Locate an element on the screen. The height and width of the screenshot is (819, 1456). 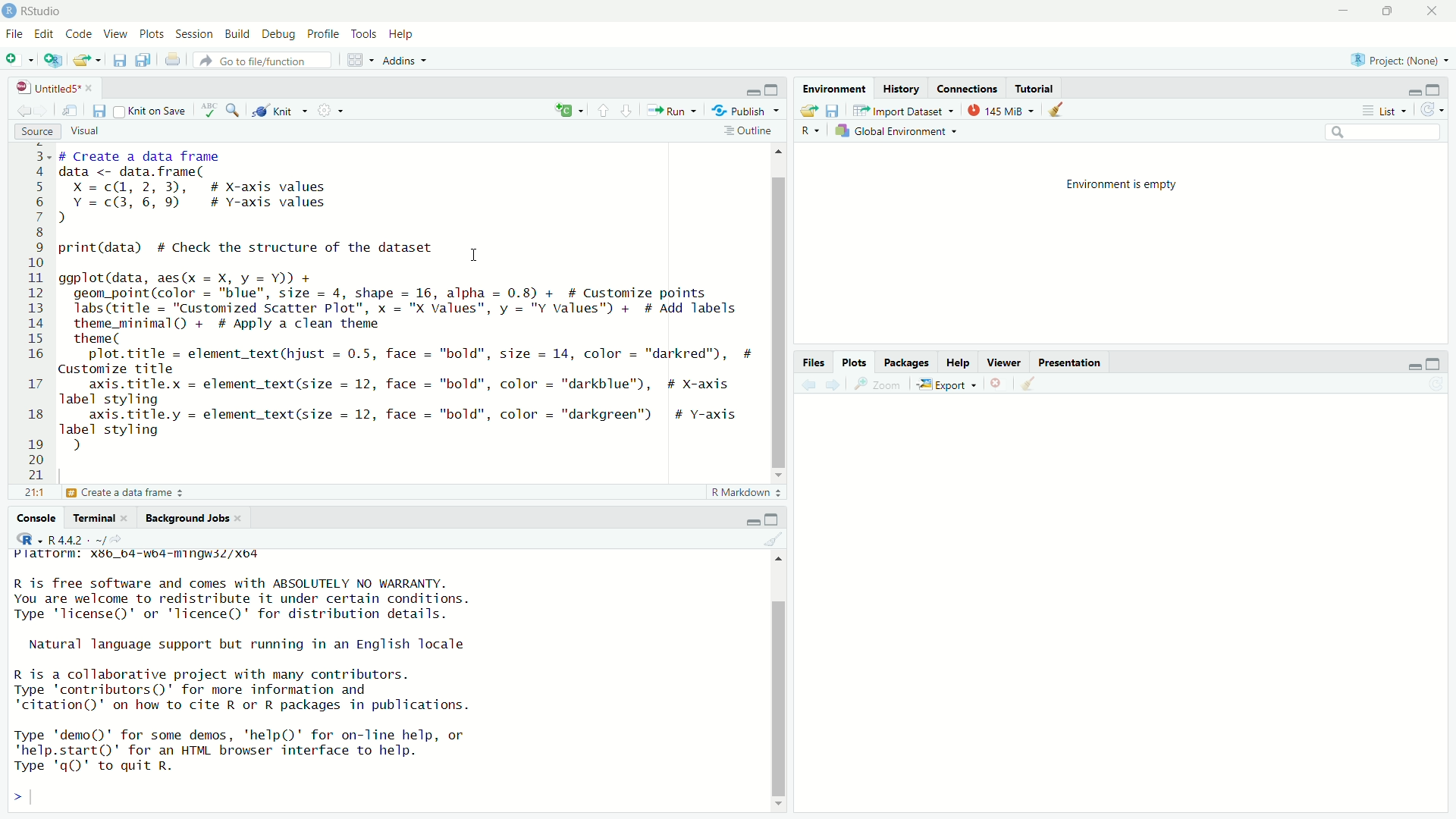
Cursor is located at coordinates (475, 254).